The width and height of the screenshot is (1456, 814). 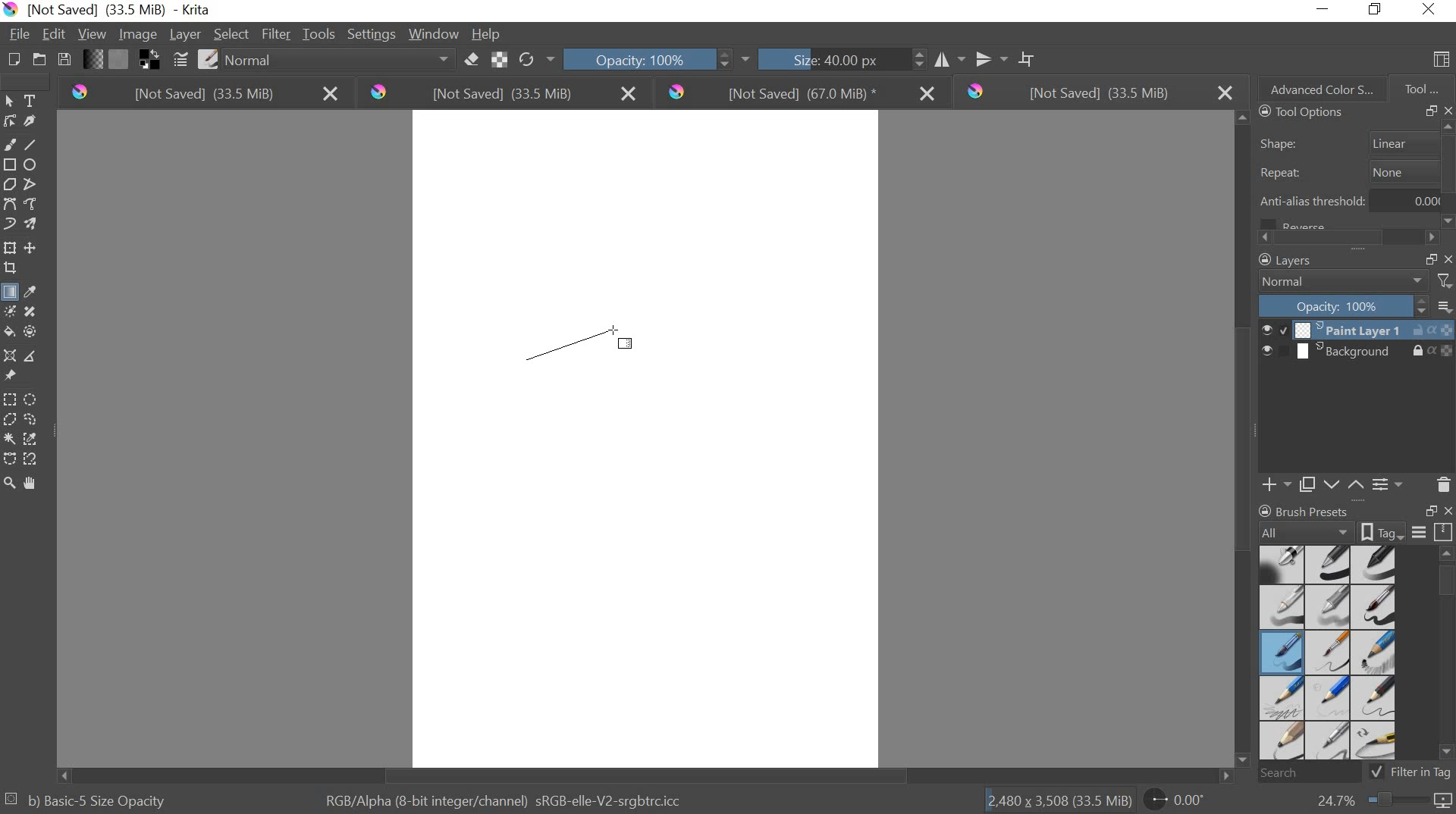 What do you see at coordinates (34, 398) in the screenshot?
I see `circular selection` at bounding box center [34, 398].